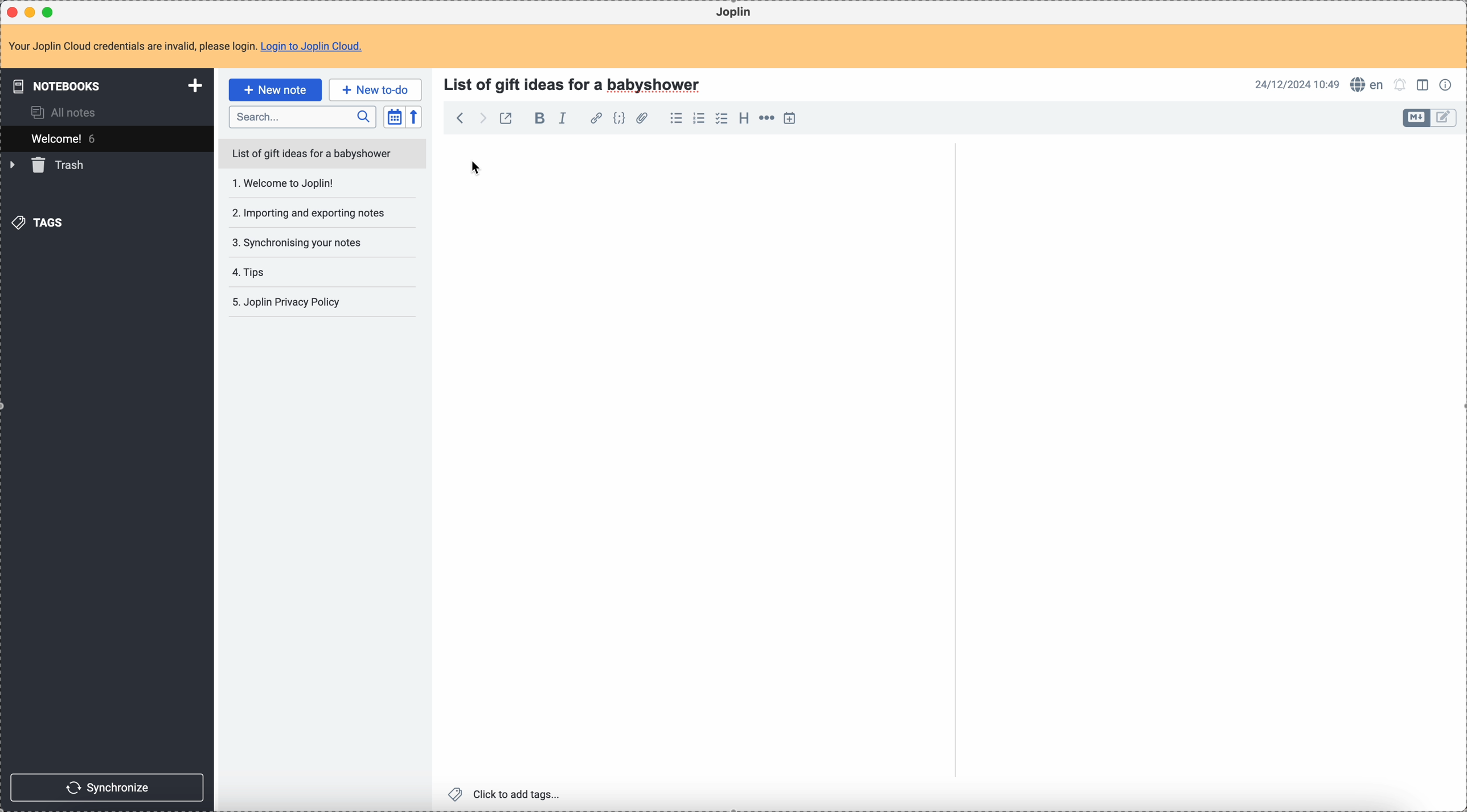 This screenshot has height=812, width=1467. I want to click on maximize Joplin, so click(51, 11).